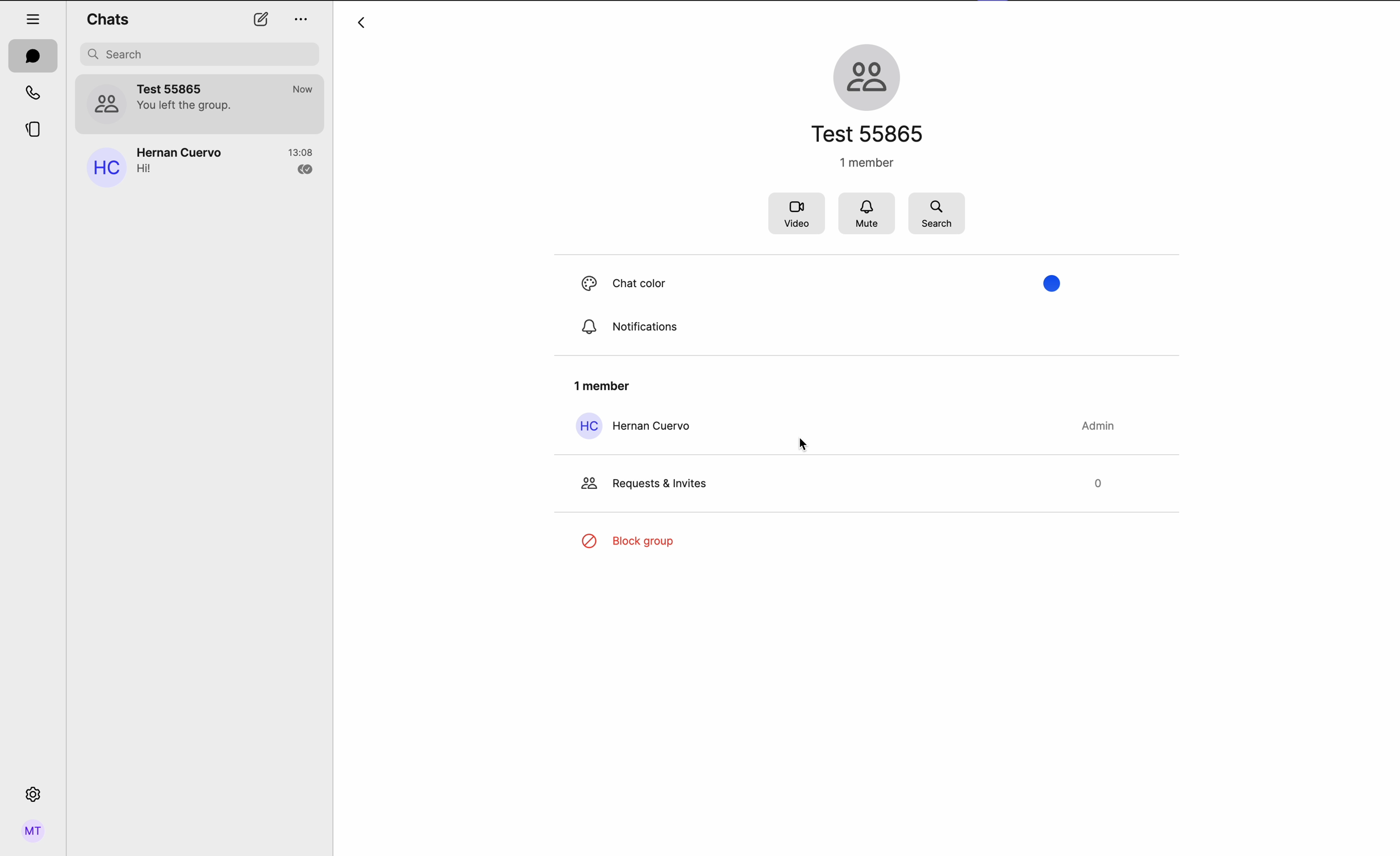  Describe the element at coordinates (864, 163) in the screenshot. I see `add group description` at that location.